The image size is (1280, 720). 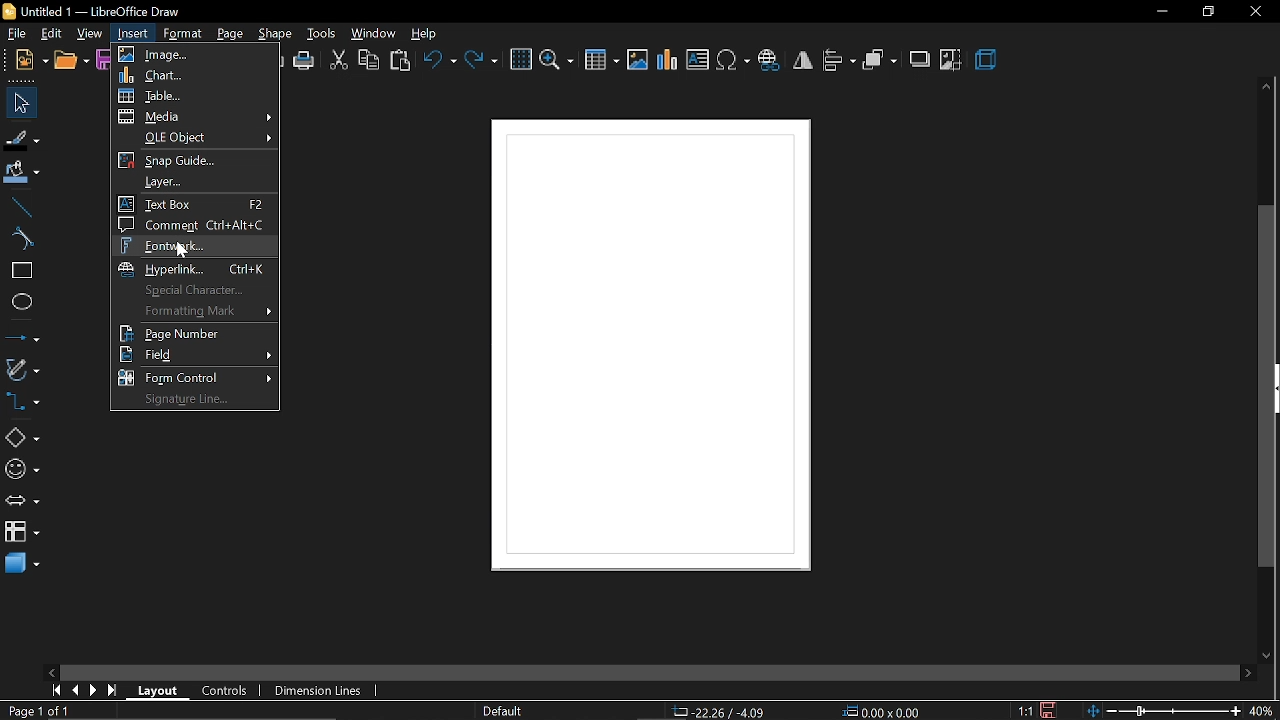 I want to click on shape, so click(x=275, y=35).